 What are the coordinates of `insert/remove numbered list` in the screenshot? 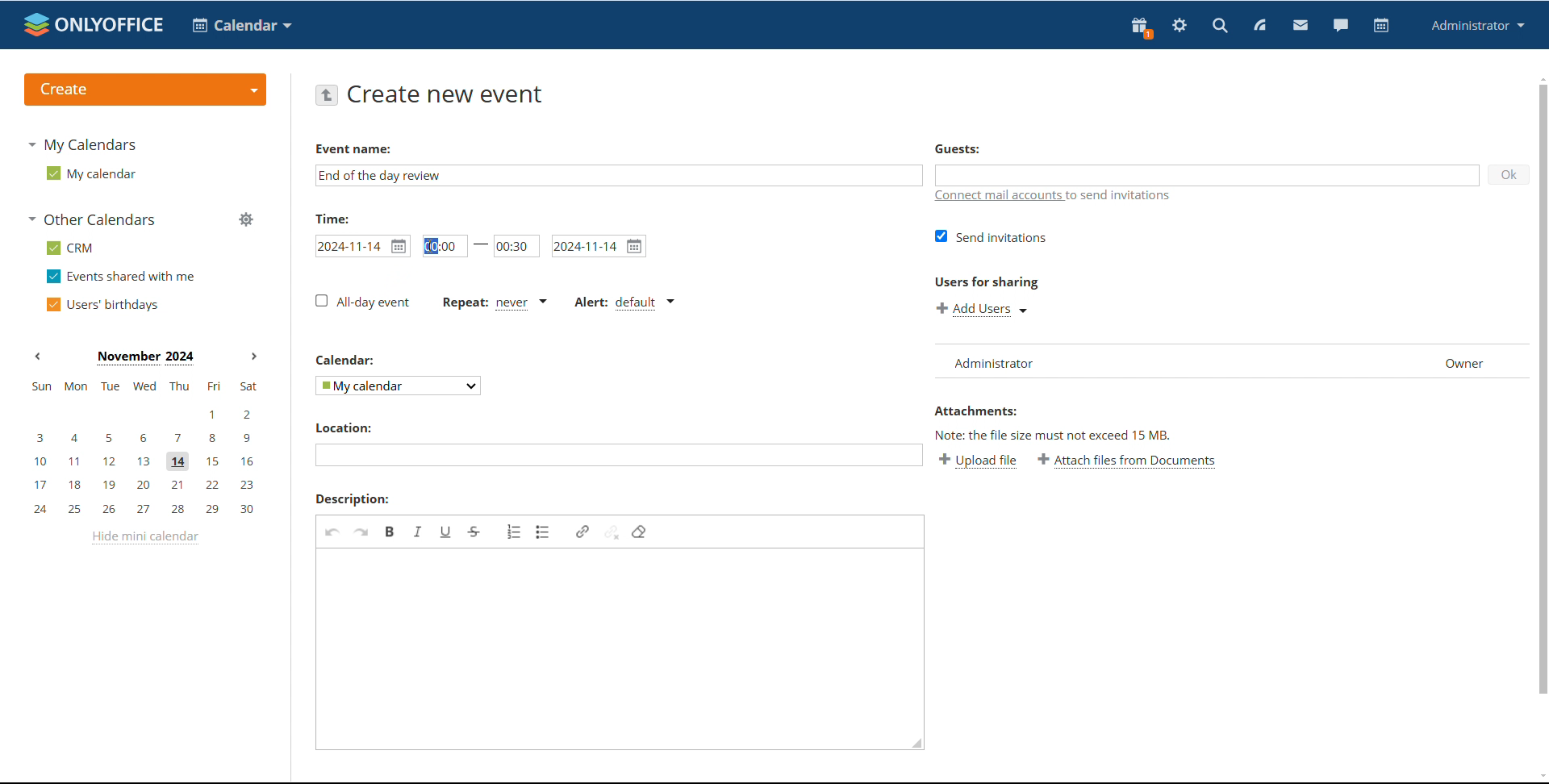 It's located at (515, 532).